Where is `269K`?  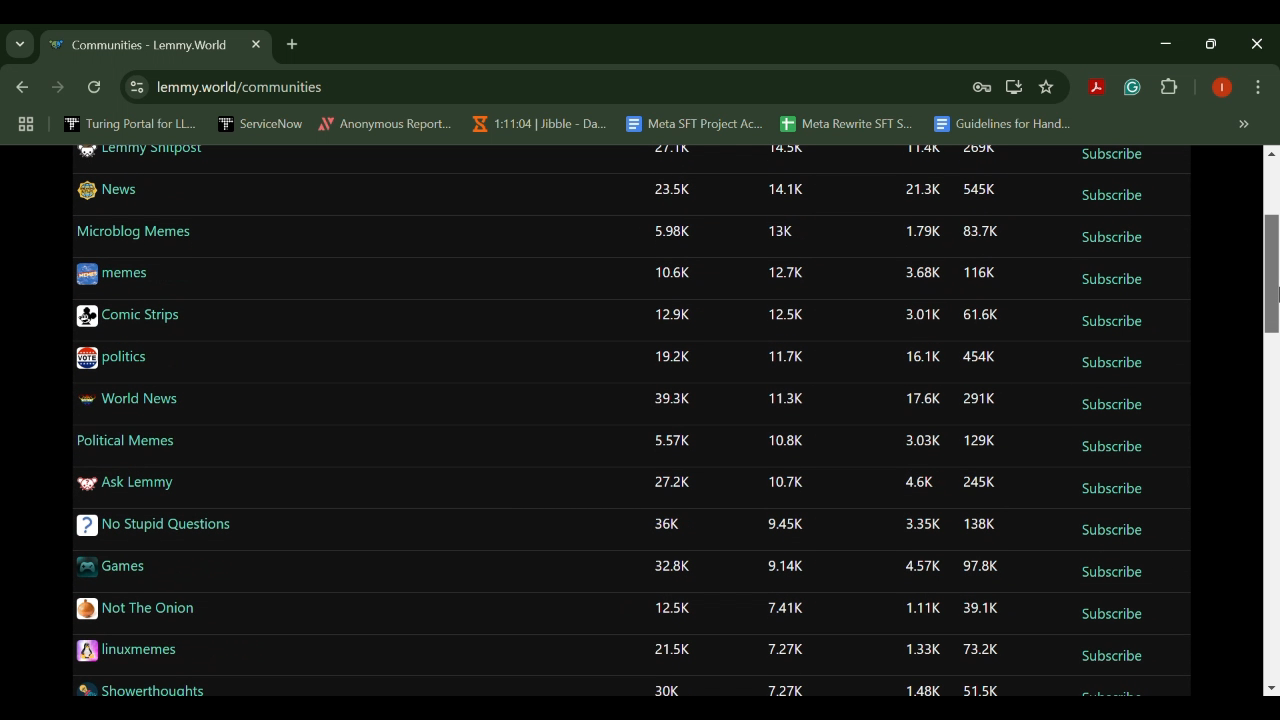 269K is located at coordinates (980, 149).